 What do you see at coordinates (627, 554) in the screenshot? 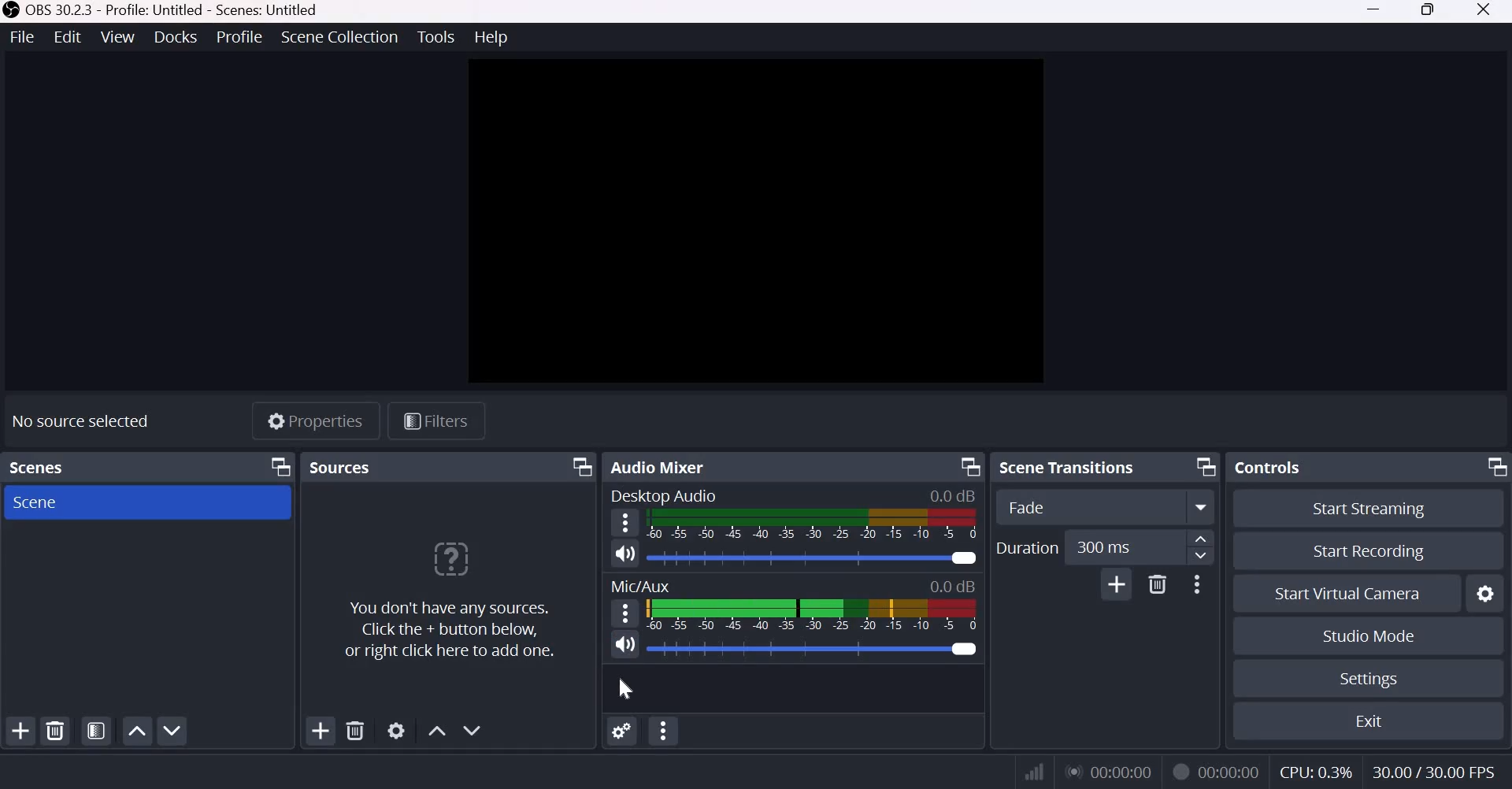
I see `Speaker icon` at bounding box center [627, 554].